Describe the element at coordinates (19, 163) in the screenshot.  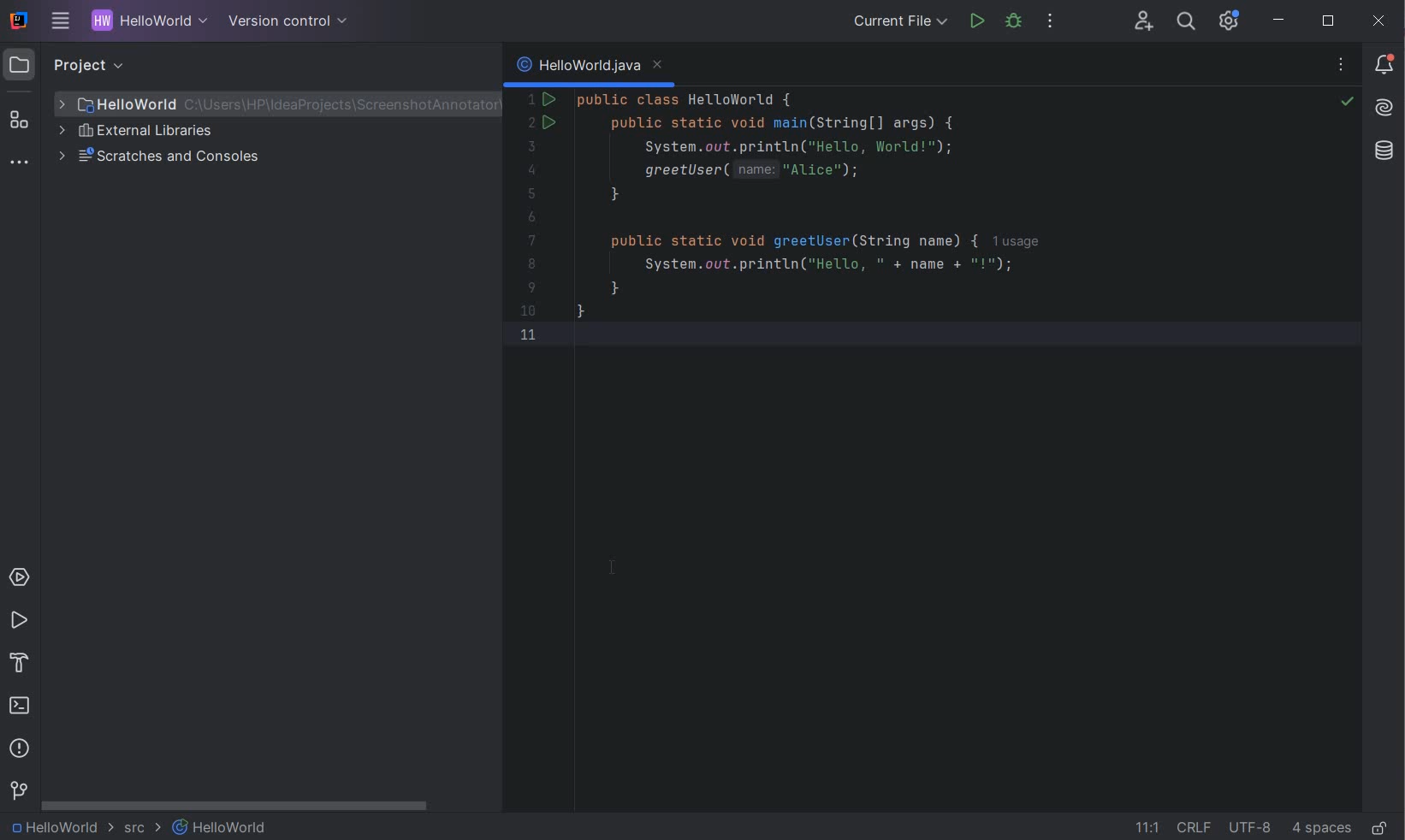
I see `MORE TOOL WINDOWS` at that location.